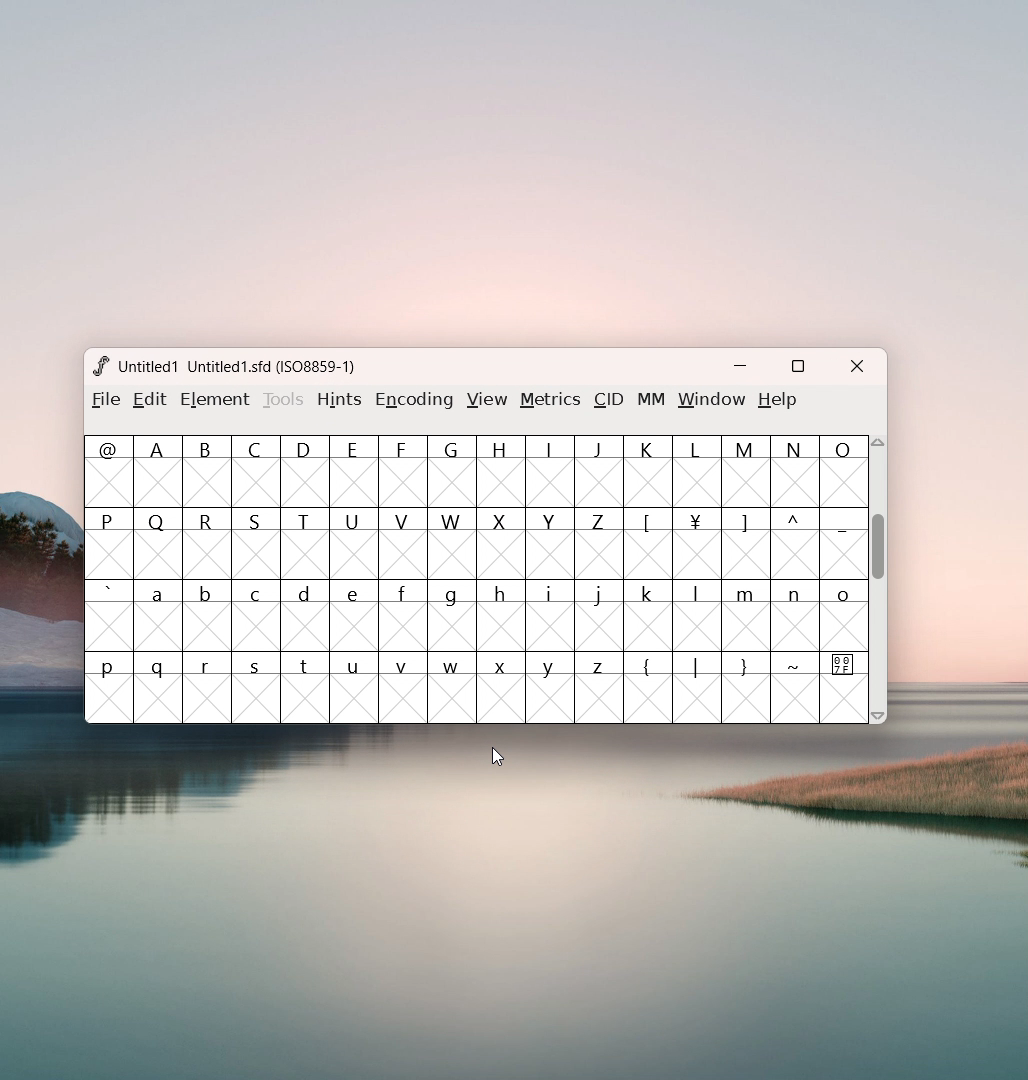  I want to click on {, so click(649, 687).